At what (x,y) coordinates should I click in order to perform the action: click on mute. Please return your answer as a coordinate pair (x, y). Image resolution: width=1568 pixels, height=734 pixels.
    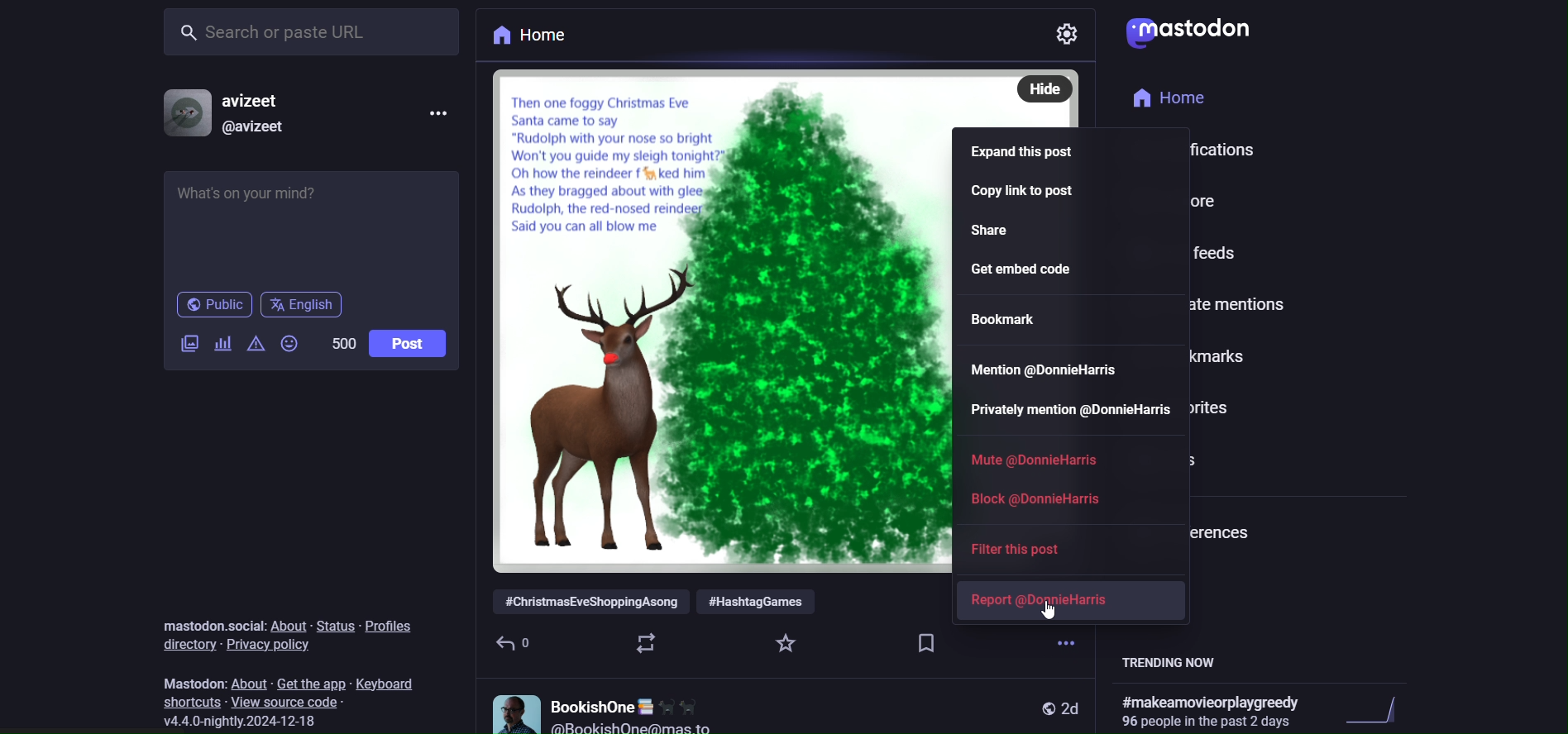
    Looking at the image, I should click on (1029, 457).